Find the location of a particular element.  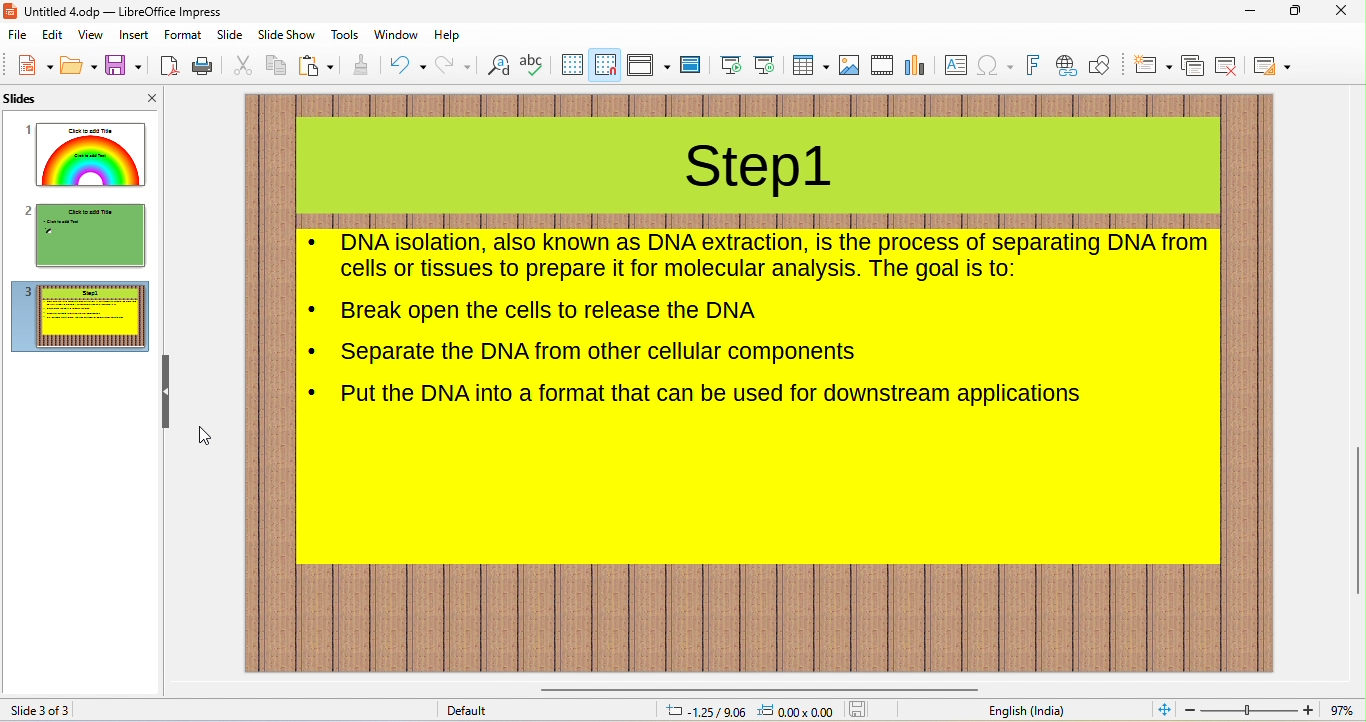

slide layout is located at coordinates (1276, 65).